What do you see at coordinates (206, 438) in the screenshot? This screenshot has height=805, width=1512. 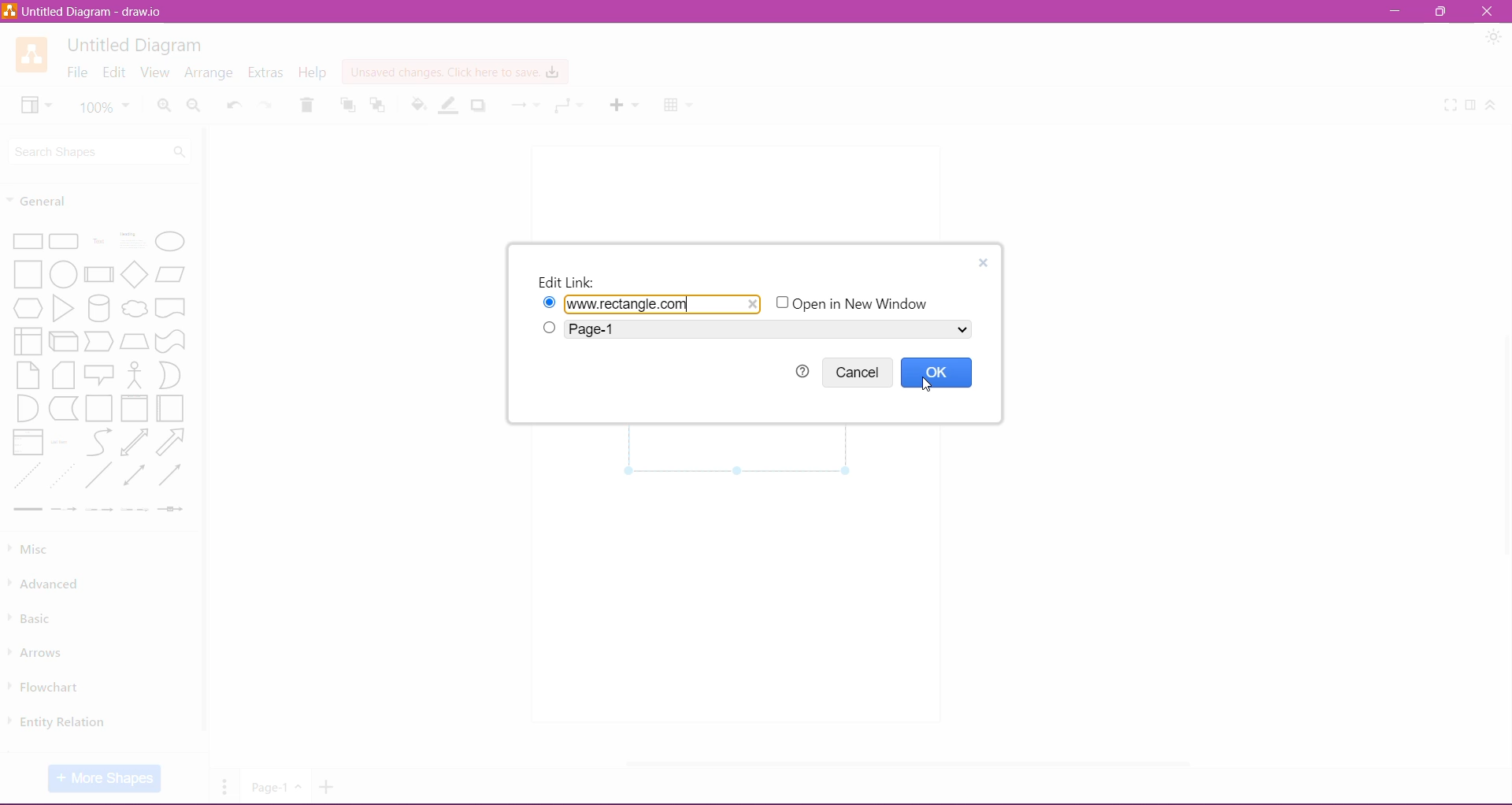 I see `Vertical Scroll Bar` at bounding box center [206, 438].